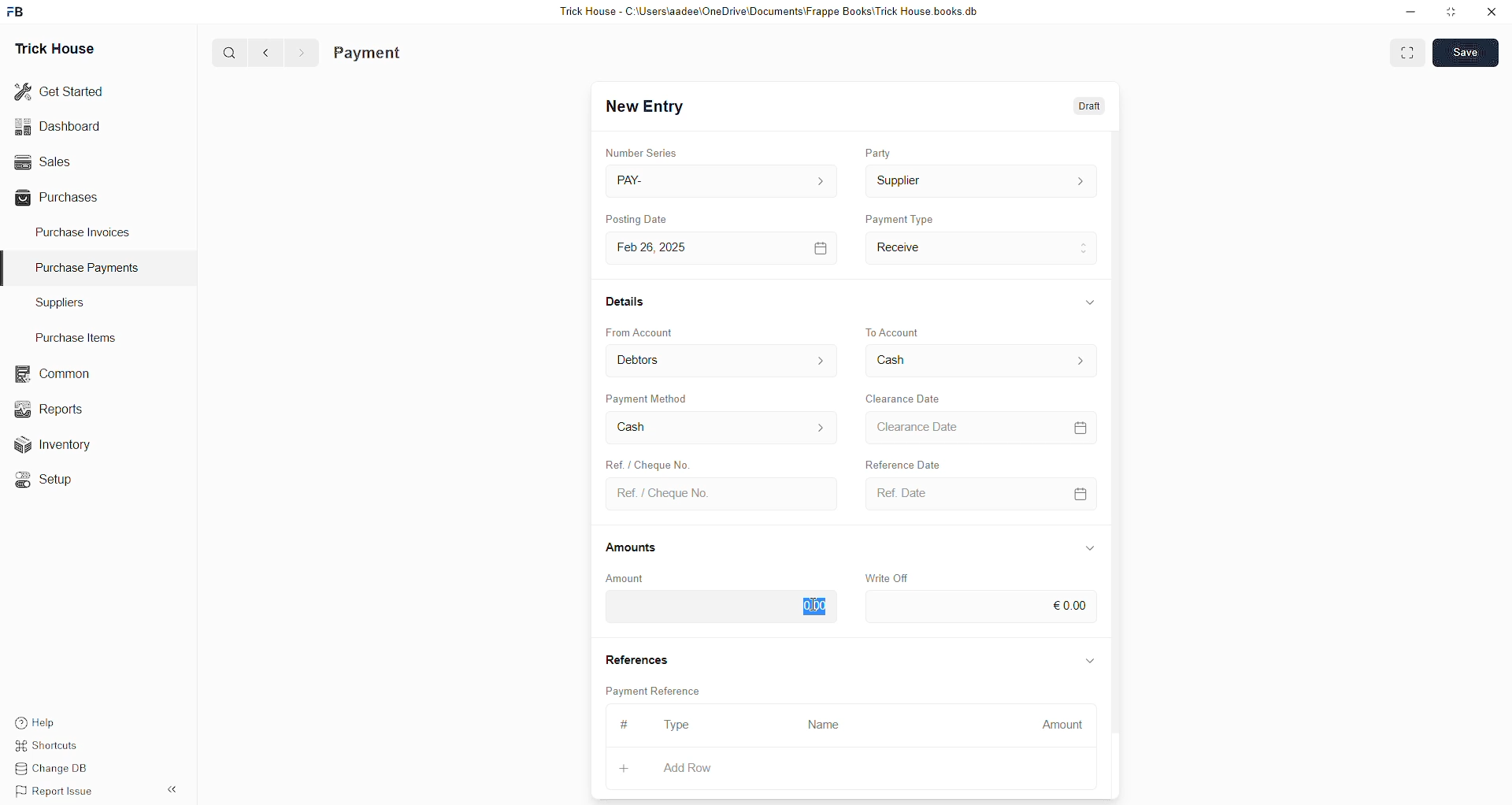 The height and width of the screenshot is (805, 1512). I want to click on €0.00, so click(720, 608).